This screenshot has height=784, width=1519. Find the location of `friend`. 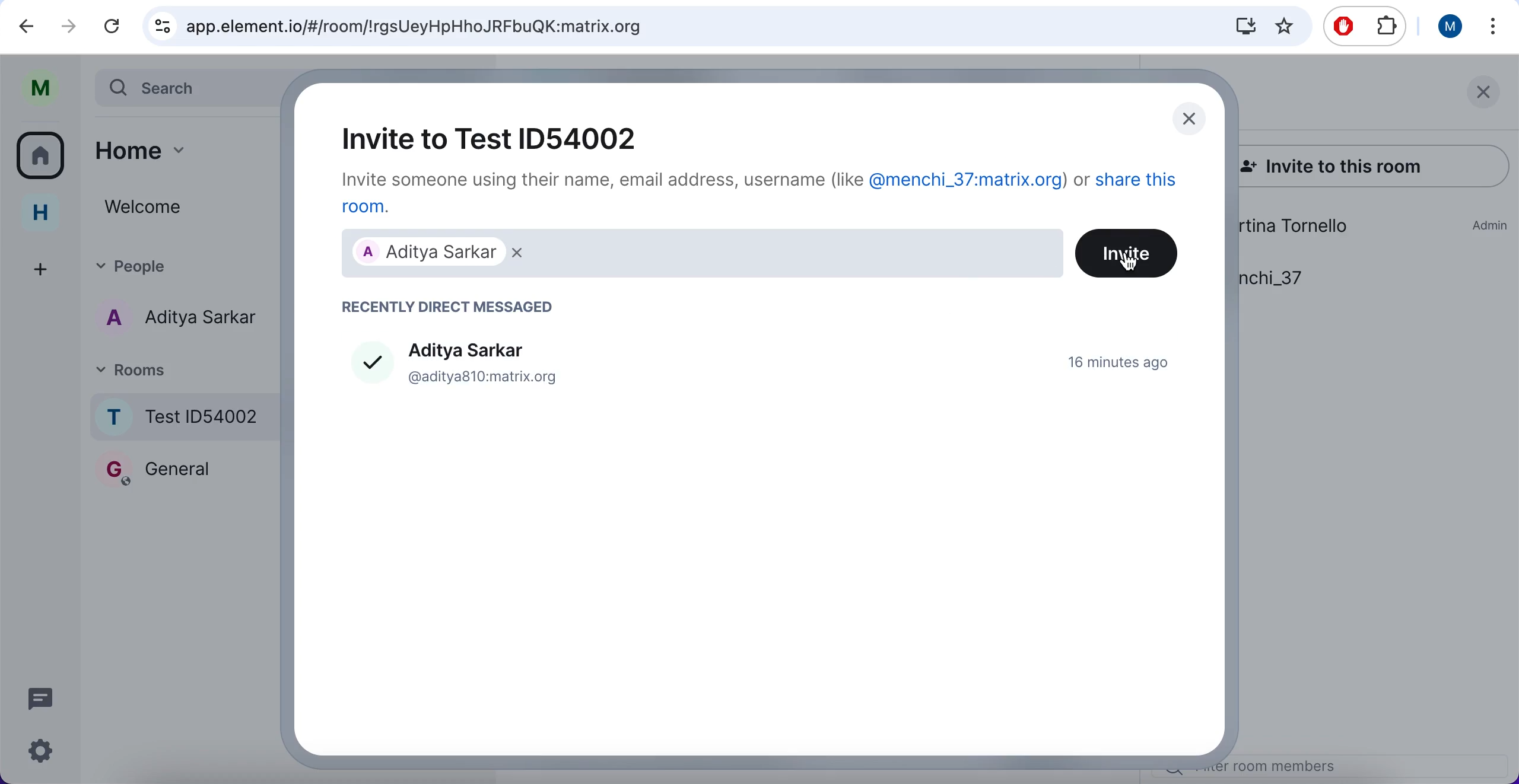

friend is located at coordinates (454, 254).